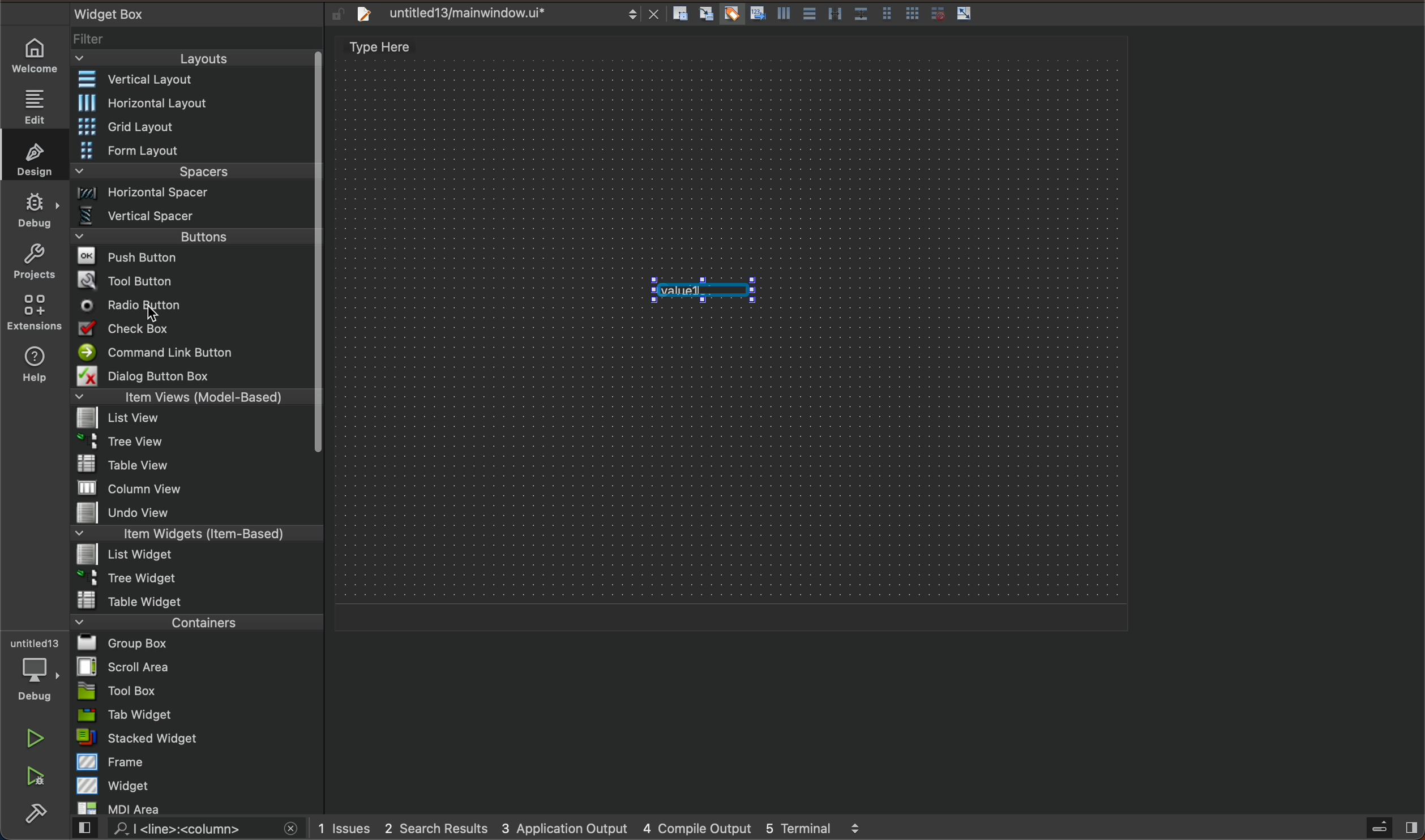 This screenshot has height=840, width=1425. Describe the element at coordinates (198, 487) in the screenshot. I see `column ` at that location.